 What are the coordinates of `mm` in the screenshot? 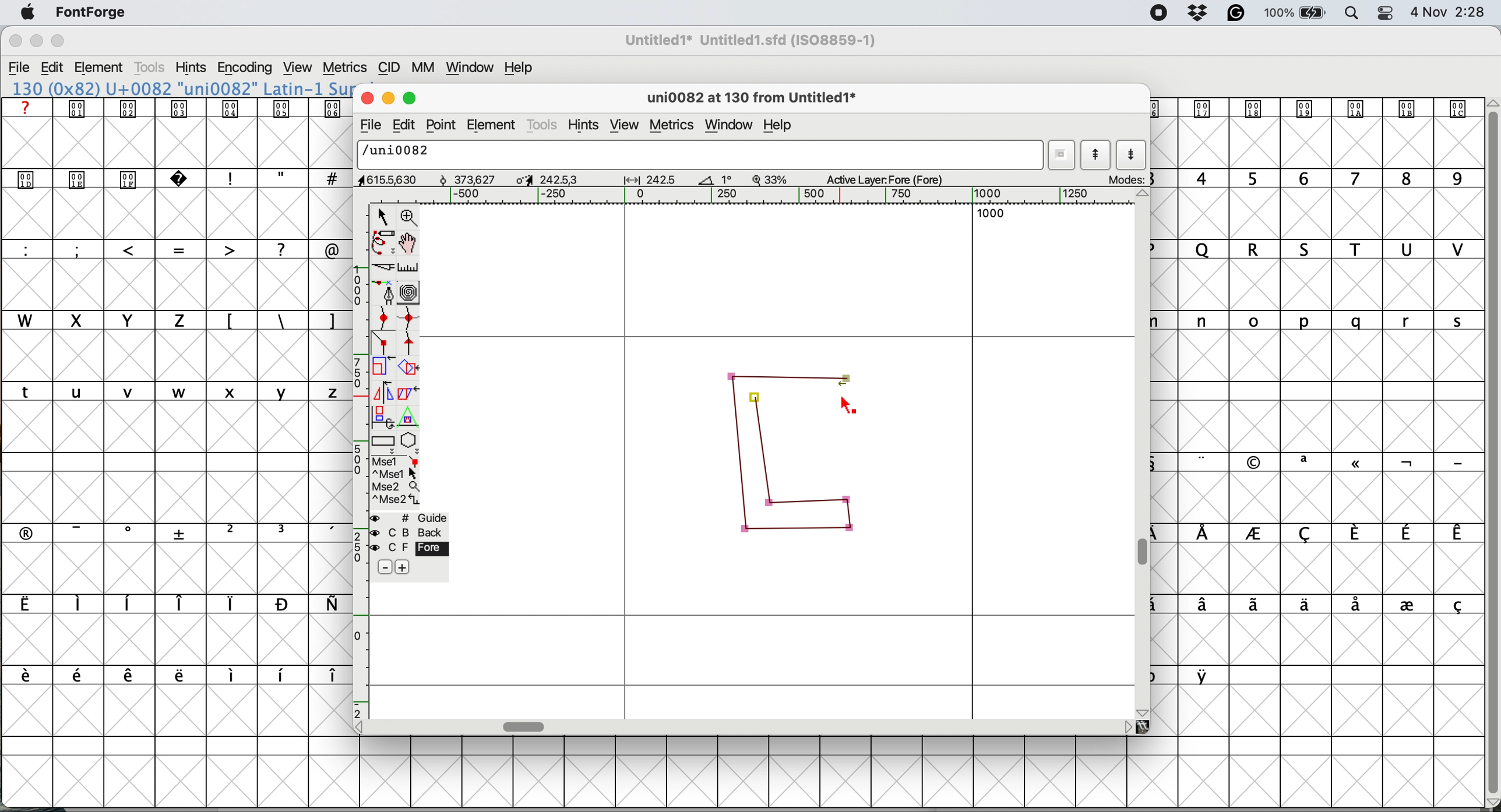 It's located at (427, 68).